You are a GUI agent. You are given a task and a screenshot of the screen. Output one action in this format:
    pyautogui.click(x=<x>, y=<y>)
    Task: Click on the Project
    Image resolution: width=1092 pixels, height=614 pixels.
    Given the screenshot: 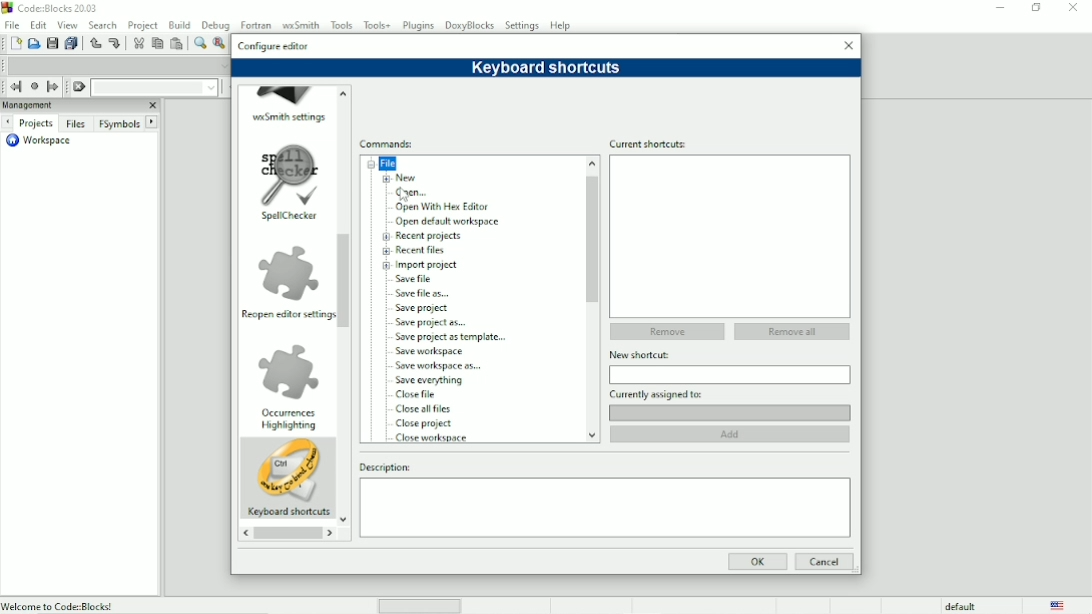 What is the action you would take?
    pyautogui.click(x=142, y=24)
    